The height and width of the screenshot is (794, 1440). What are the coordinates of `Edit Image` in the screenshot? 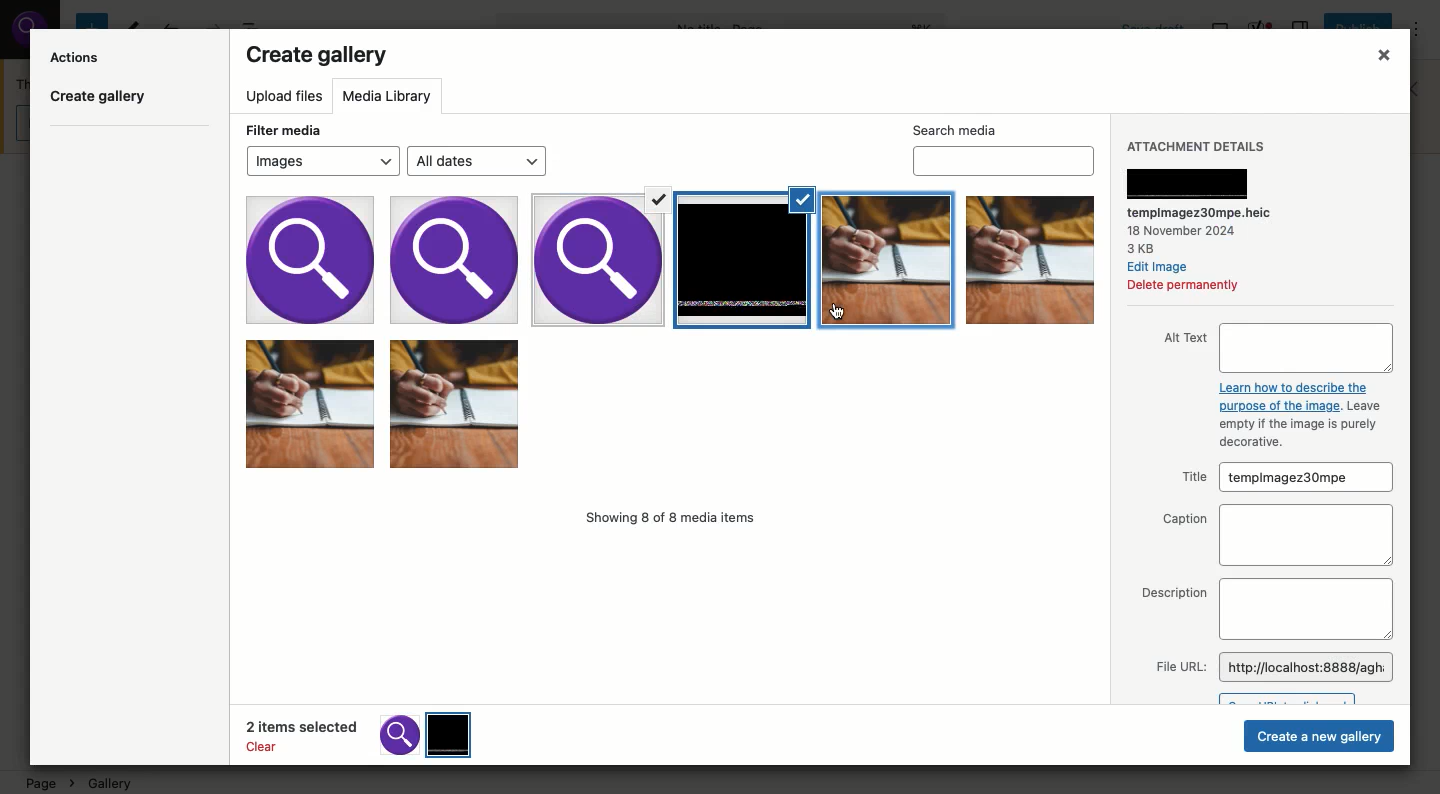 It's located at (1174, 267).